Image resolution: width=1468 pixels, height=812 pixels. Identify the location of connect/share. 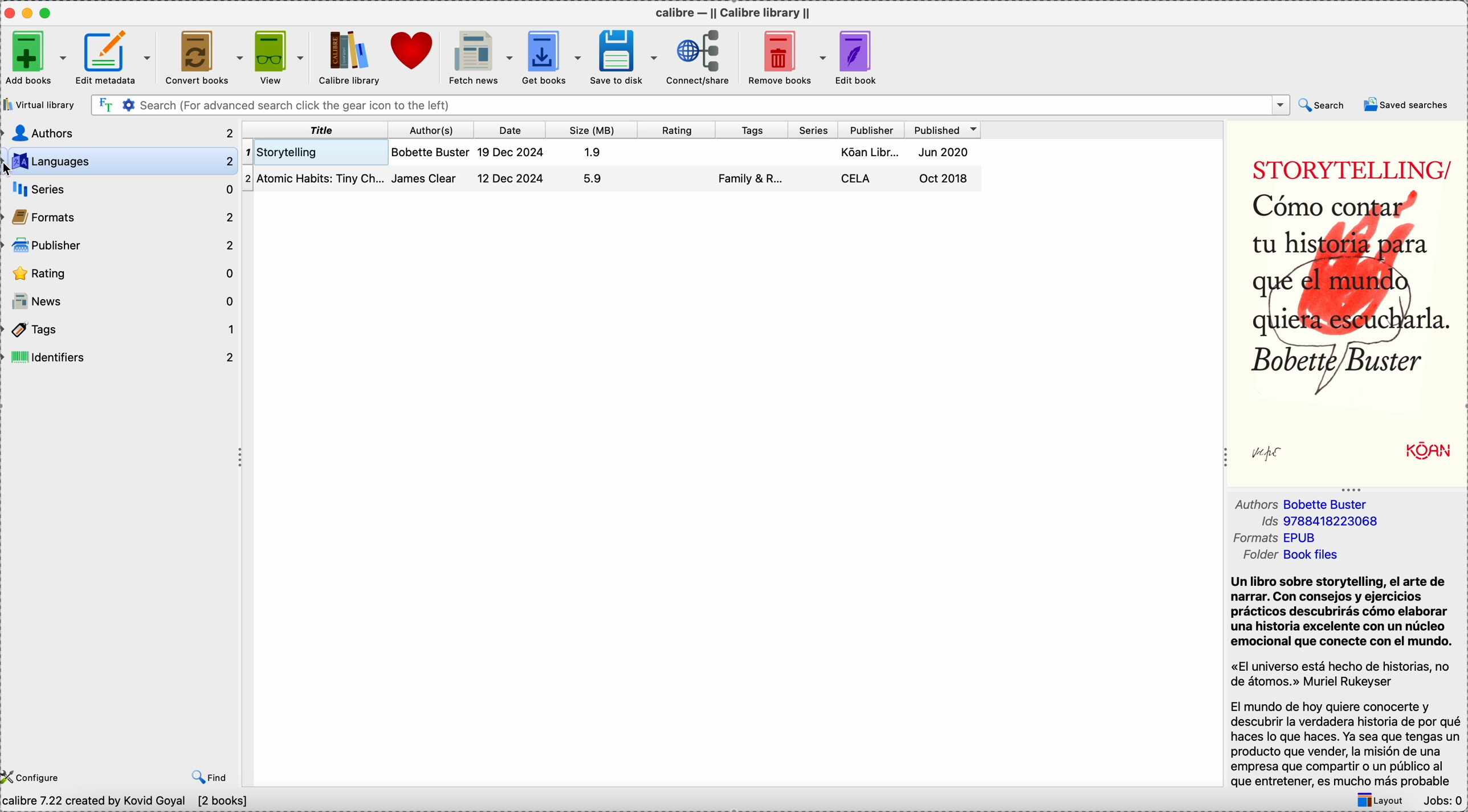
(702, 58).